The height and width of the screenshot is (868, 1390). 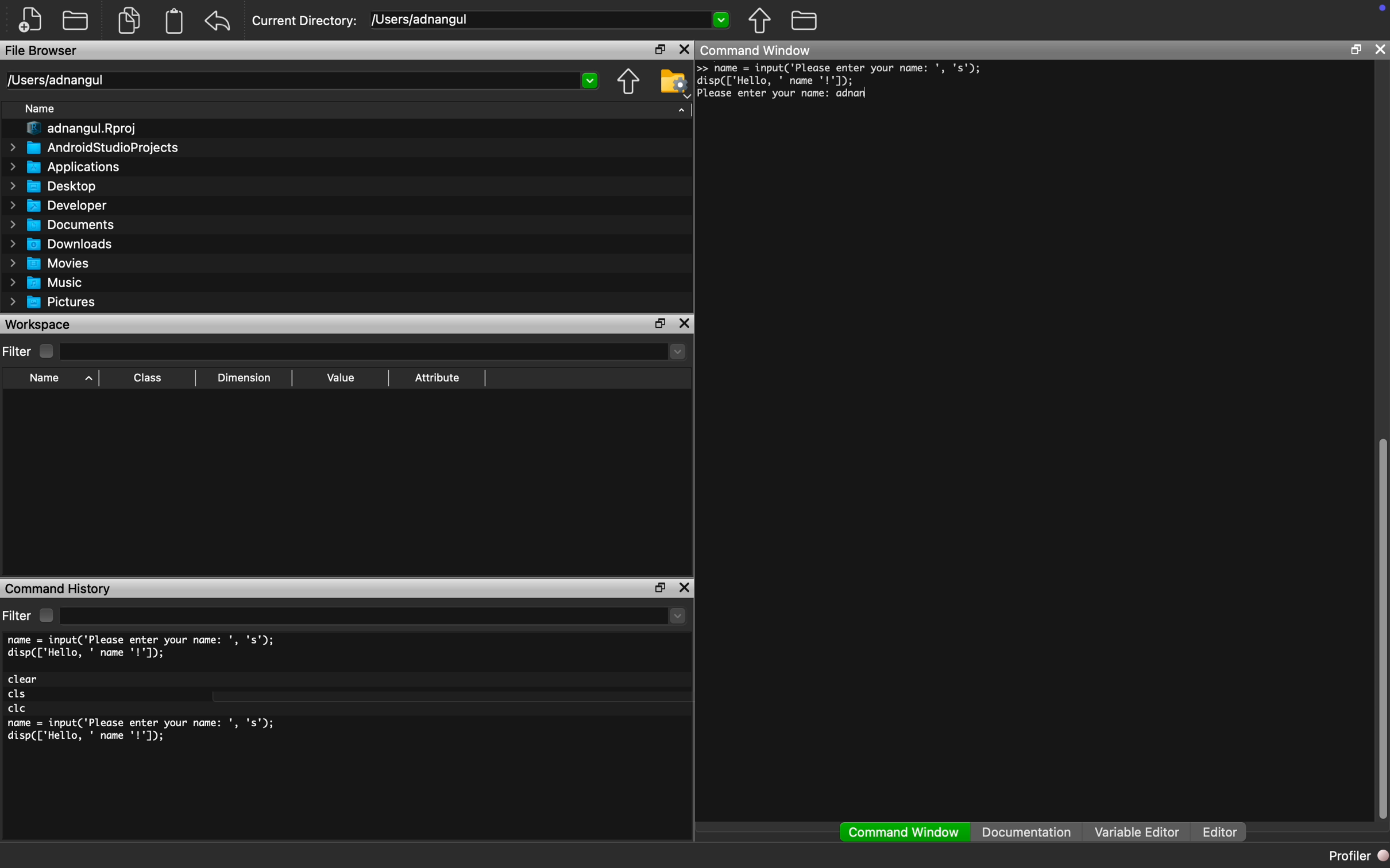 What do you see at coordinates (175, 21) in the screenshot?
I see `clipboard` at bounding box center [175, 21].